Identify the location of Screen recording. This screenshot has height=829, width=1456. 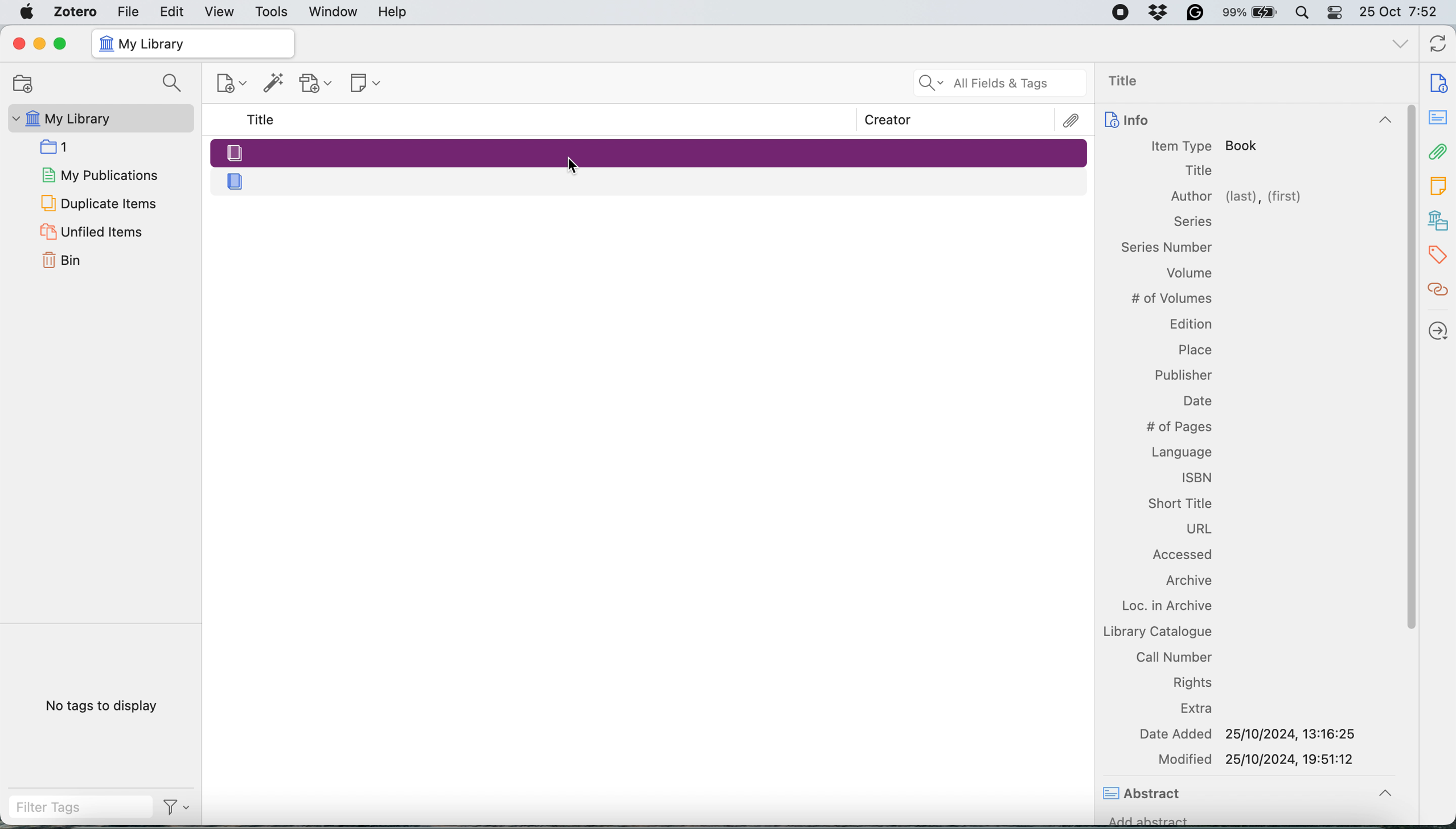
(1119, 13).